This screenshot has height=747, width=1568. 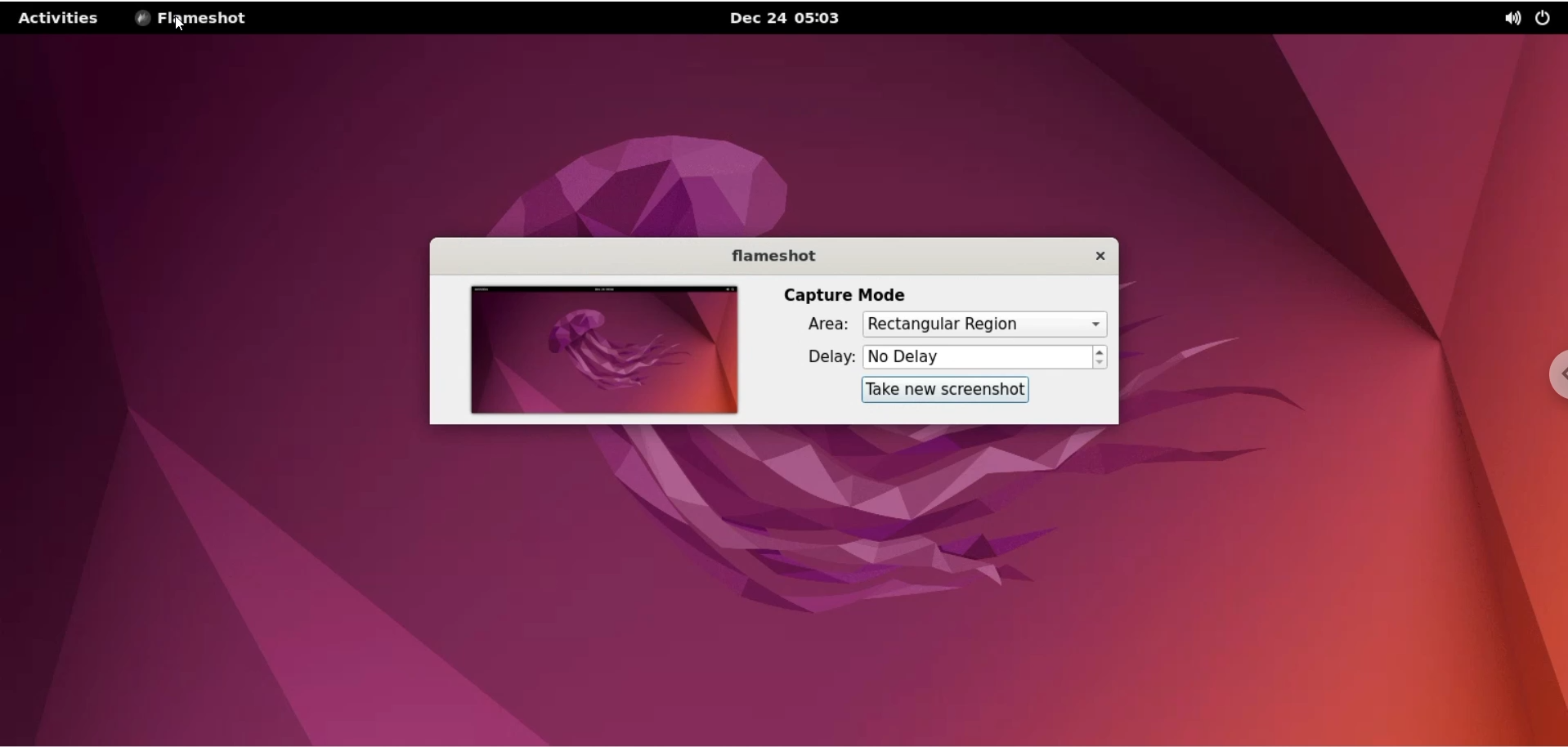 What do you see at coordinates (60, 18) in the screenshot?
I see `activities ` at bounding box center [60, 18].